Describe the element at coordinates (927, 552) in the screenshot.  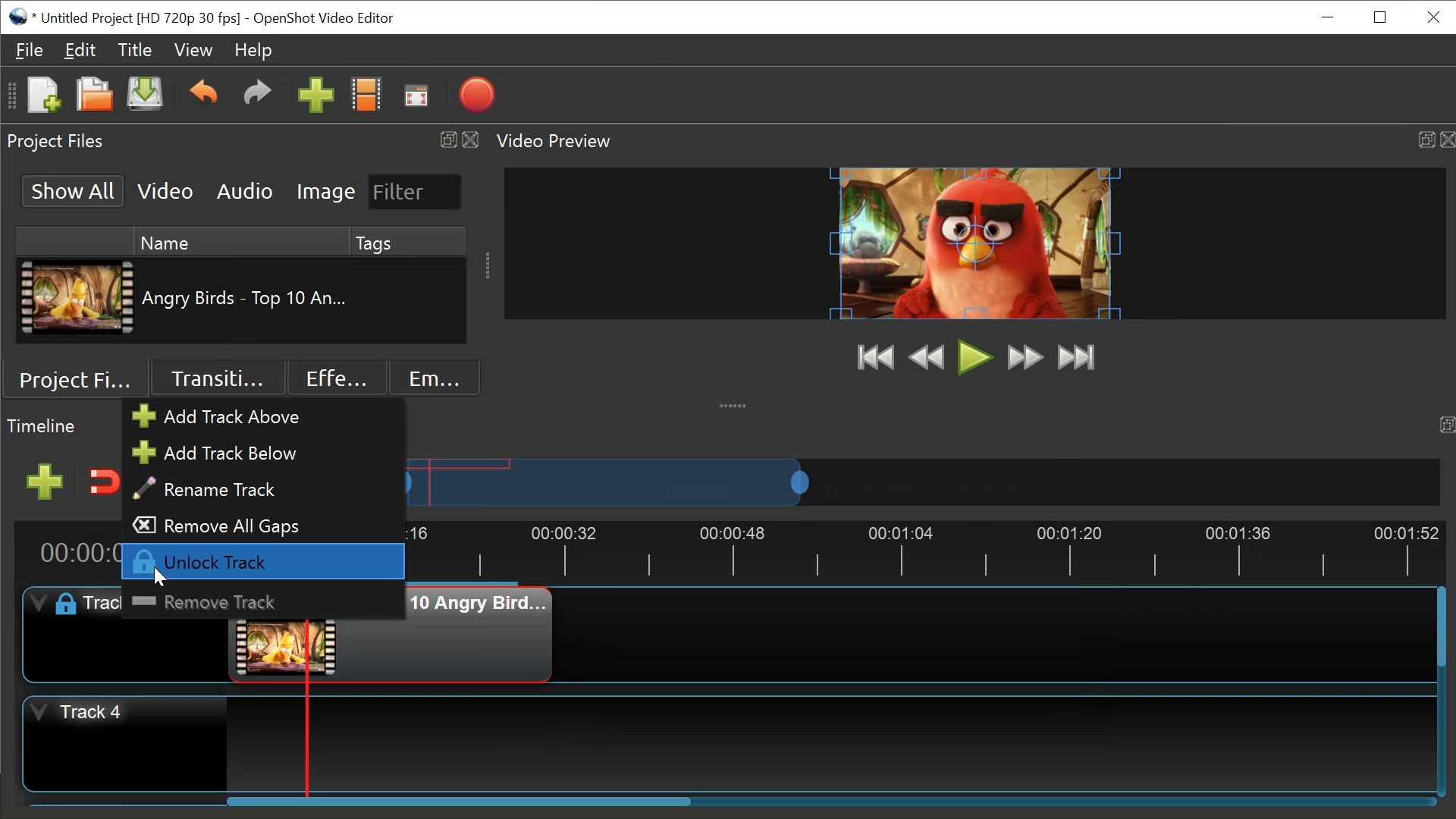
I see `Timeline` at that location.